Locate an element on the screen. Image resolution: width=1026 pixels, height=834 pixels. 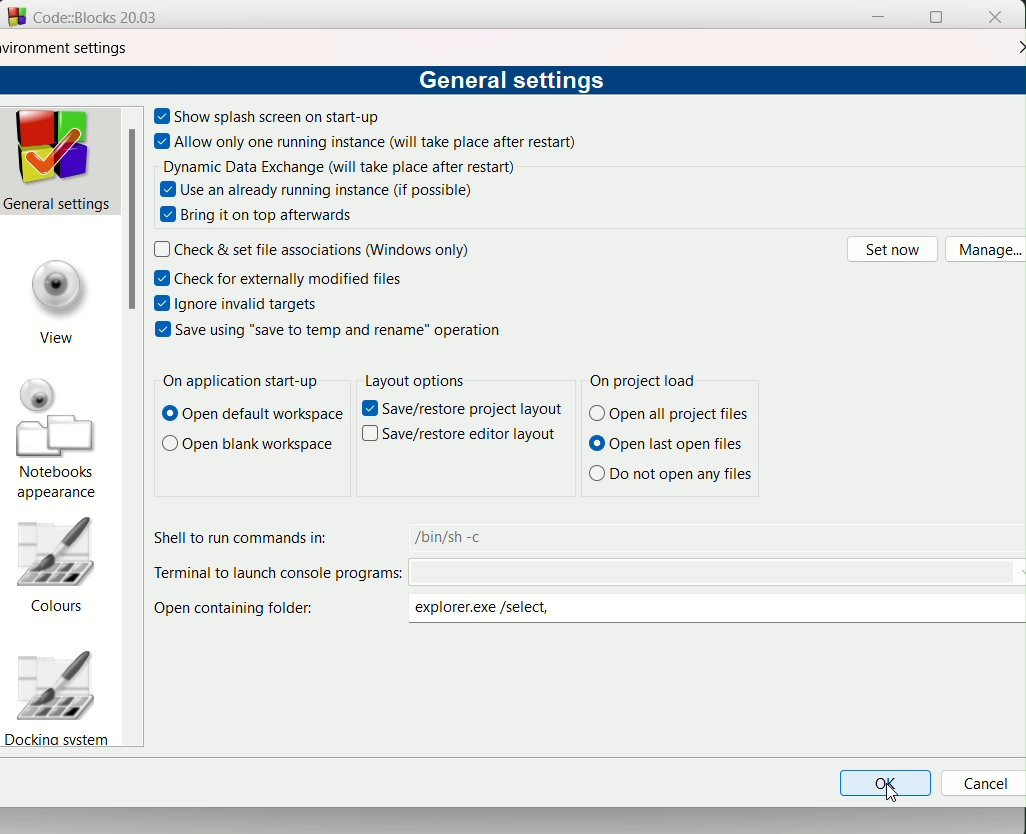
checkbox is located at coordinates (168, 190).